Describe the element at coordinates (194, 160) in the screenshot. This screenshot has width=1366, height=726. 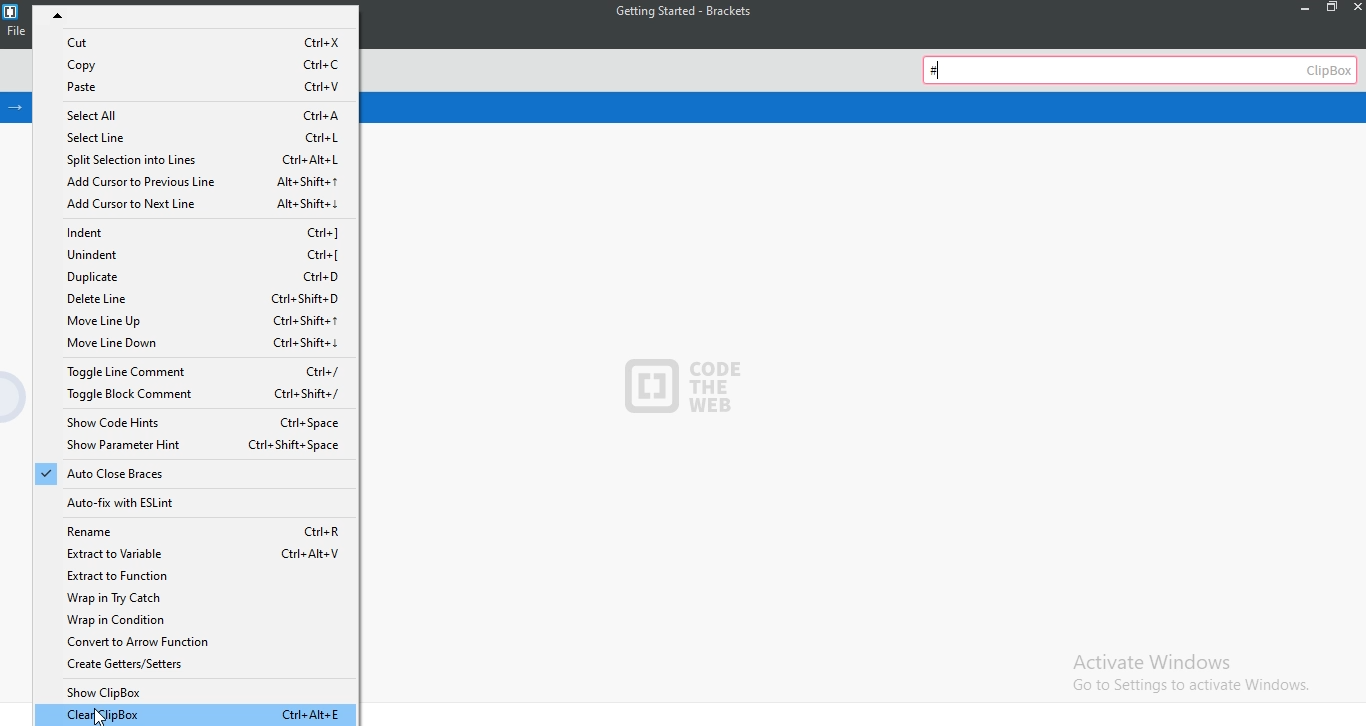
I see `Split selection into lines` at that location.